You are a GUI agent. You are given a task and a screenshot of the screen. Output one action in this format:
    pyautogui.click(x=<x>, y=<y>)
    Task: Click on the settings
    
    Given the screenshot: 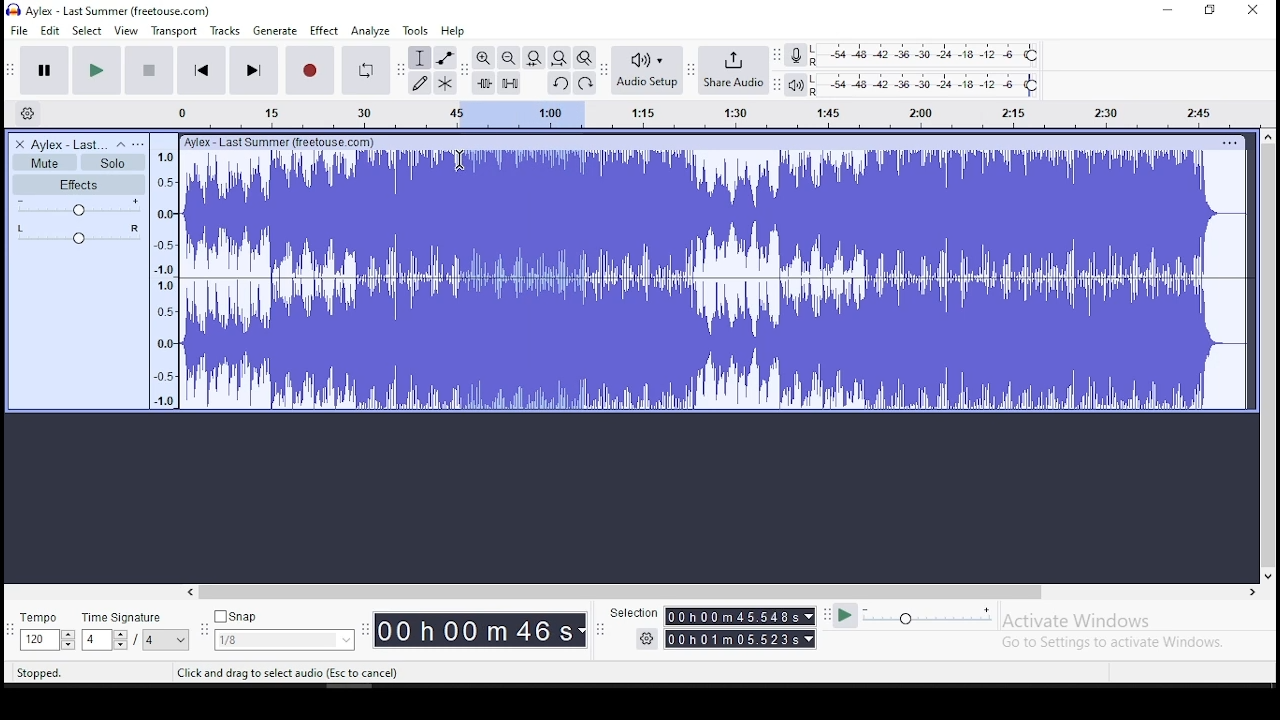 What is the action you would take?
    pyautogui.click(x=635, y=639)
    